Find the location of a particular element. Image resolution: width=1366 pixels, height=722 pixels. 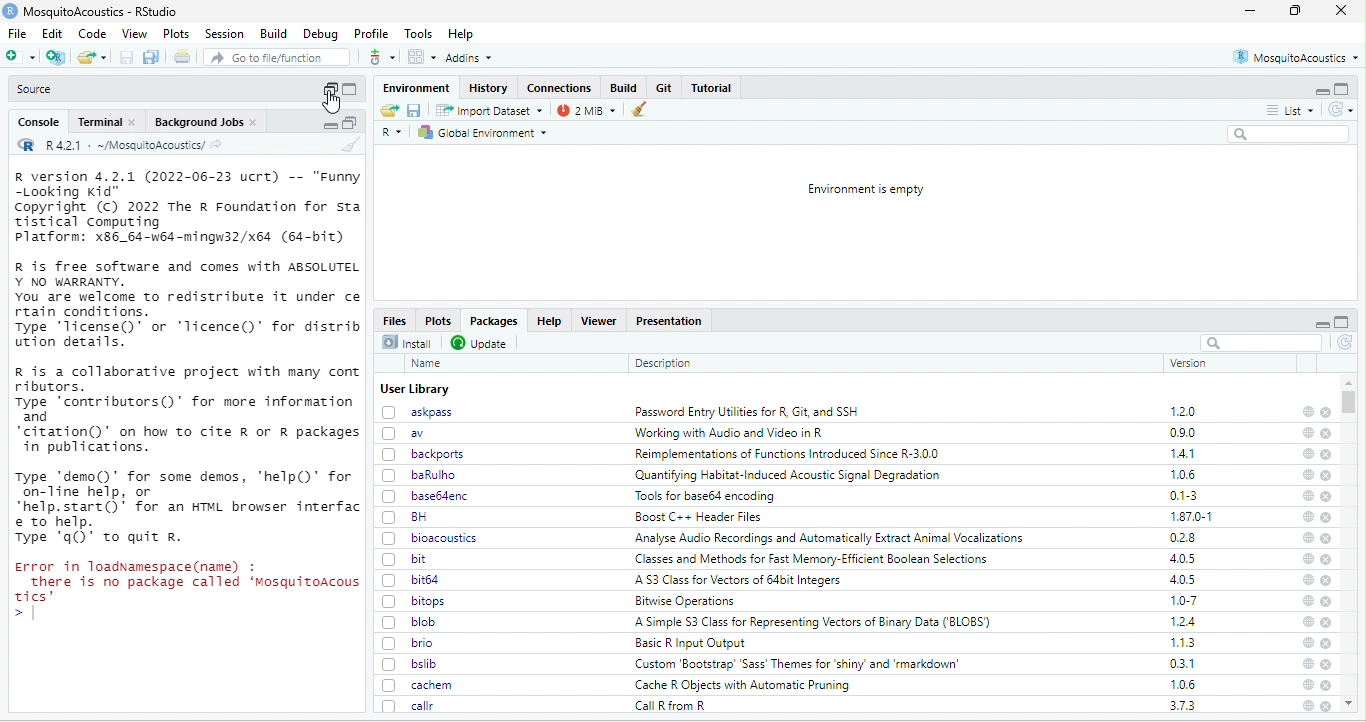

close is located at coordinates (1326, 601).